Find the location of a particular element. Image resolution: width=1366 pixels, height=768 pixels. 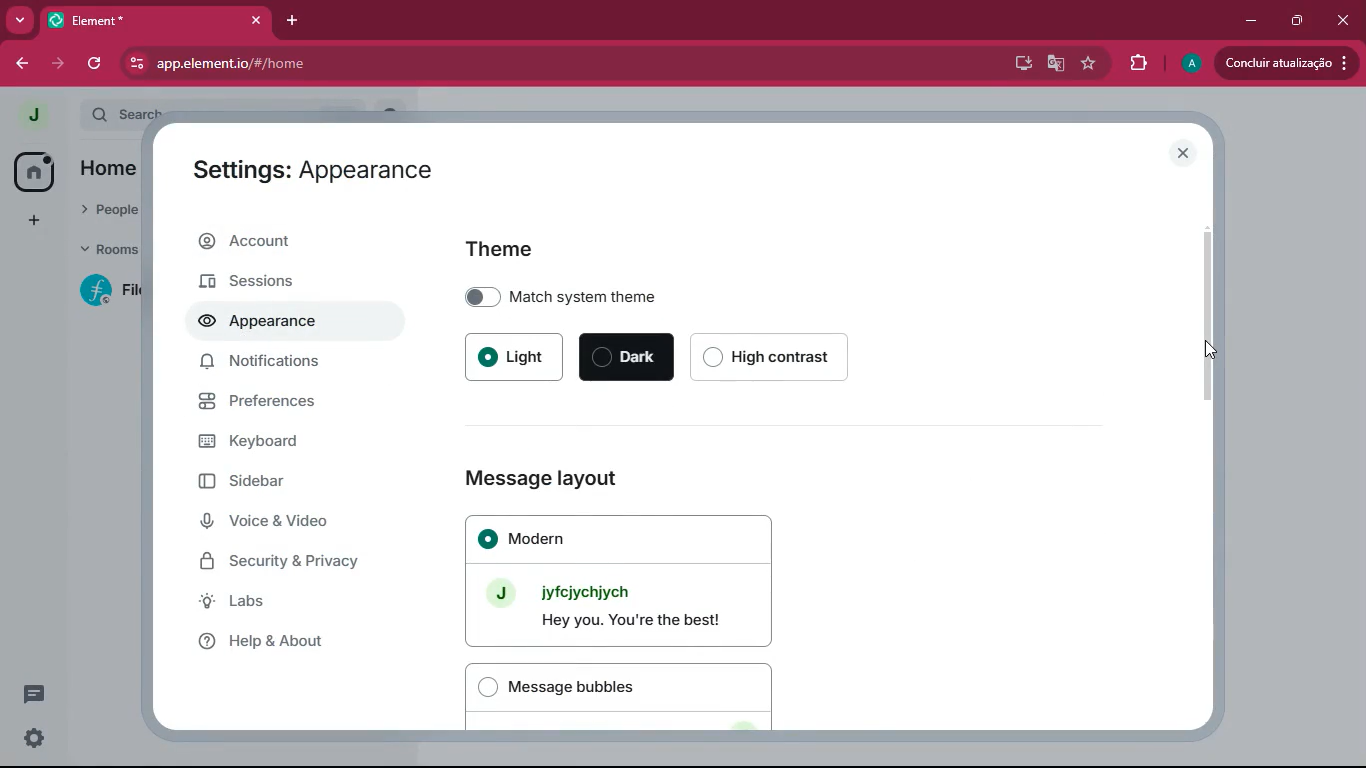

preferences is located at coordinates (285, 403).